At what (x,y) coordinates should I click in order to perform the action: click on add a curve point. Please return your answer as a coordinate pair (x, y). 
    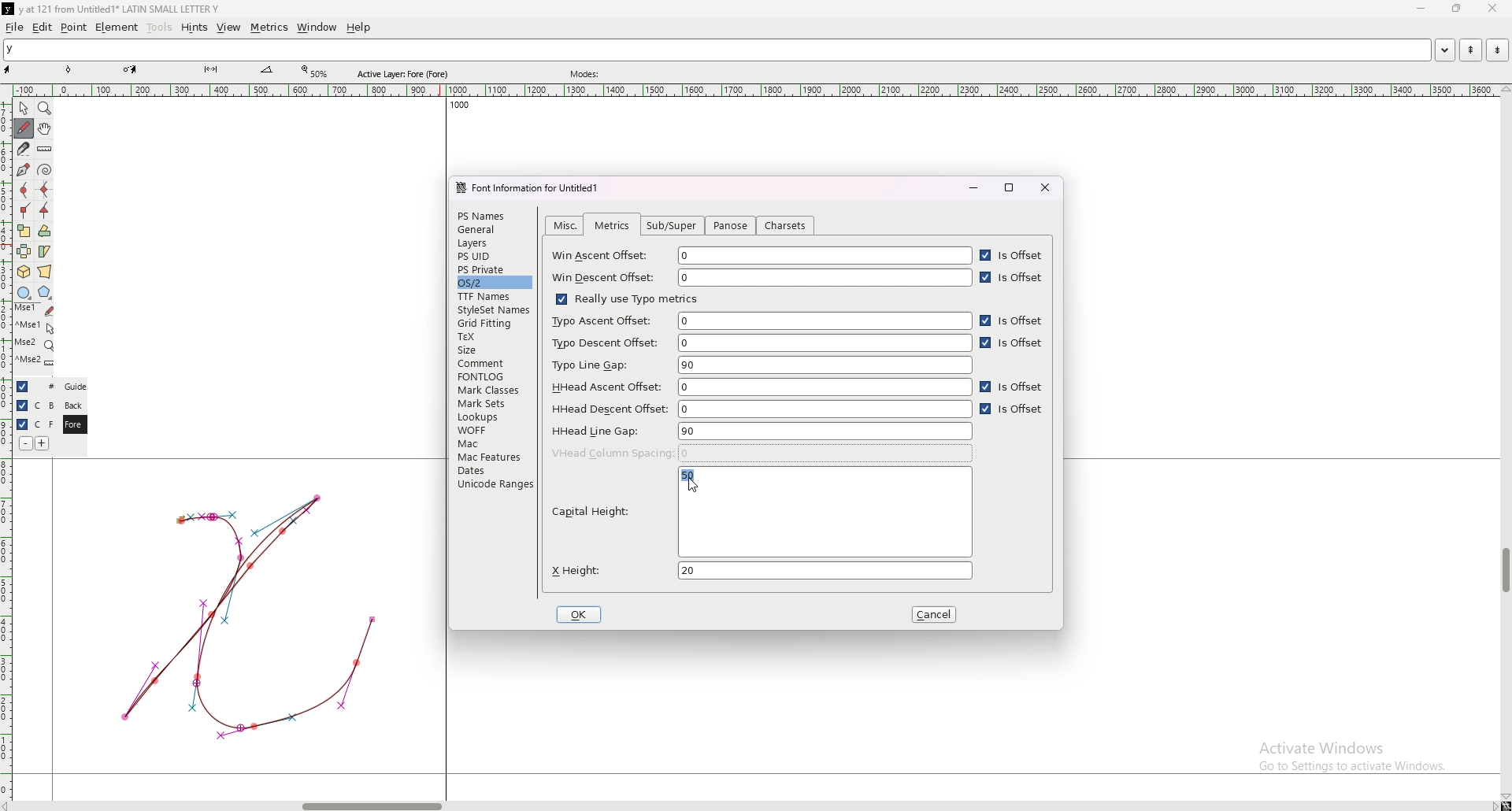
    Looking at the image, I should click on (24, 191).